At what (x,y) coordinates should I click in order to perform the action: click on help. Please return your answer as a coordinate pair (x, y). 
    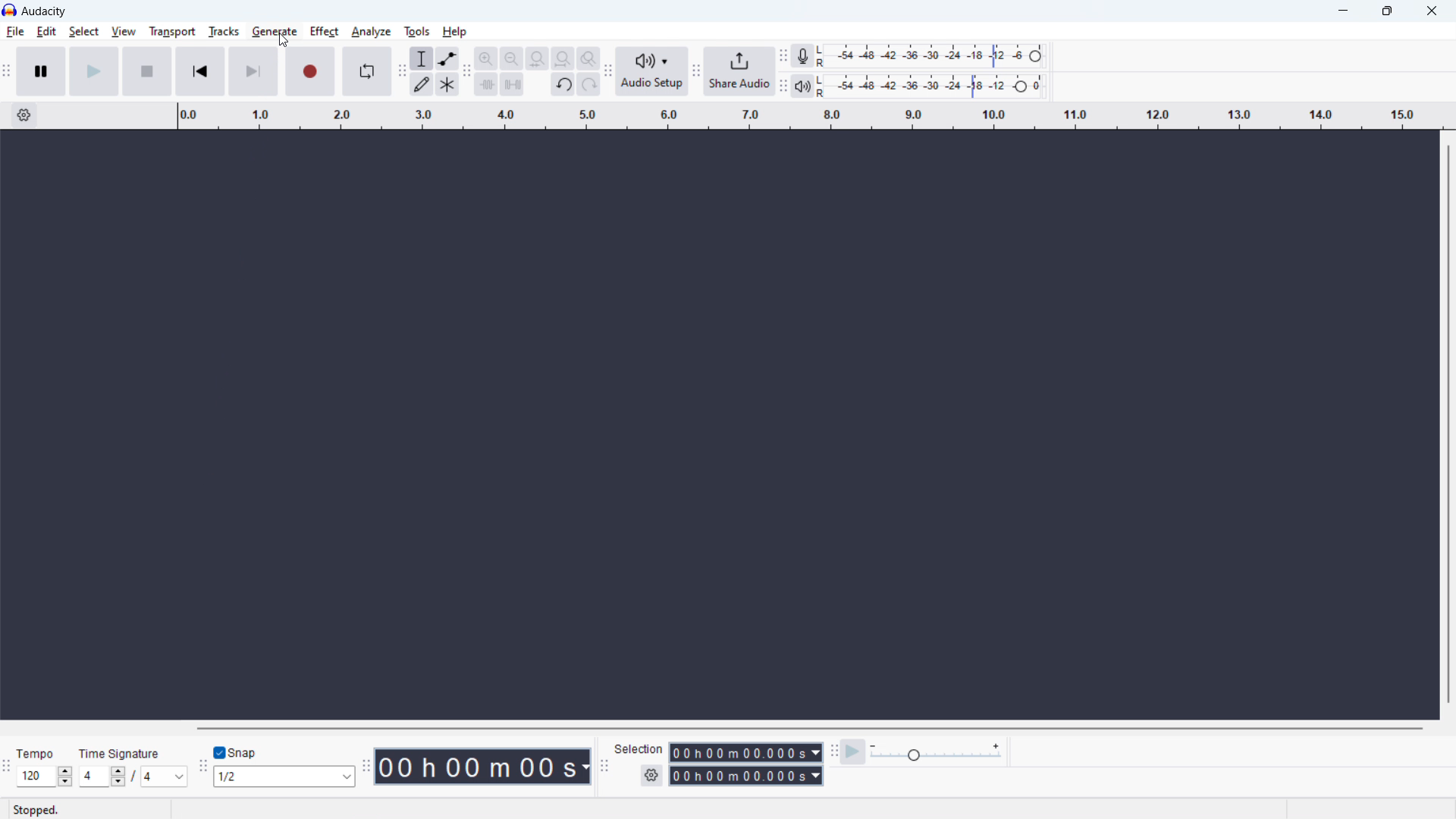
    Looking at the image, I should click on (454, 32).